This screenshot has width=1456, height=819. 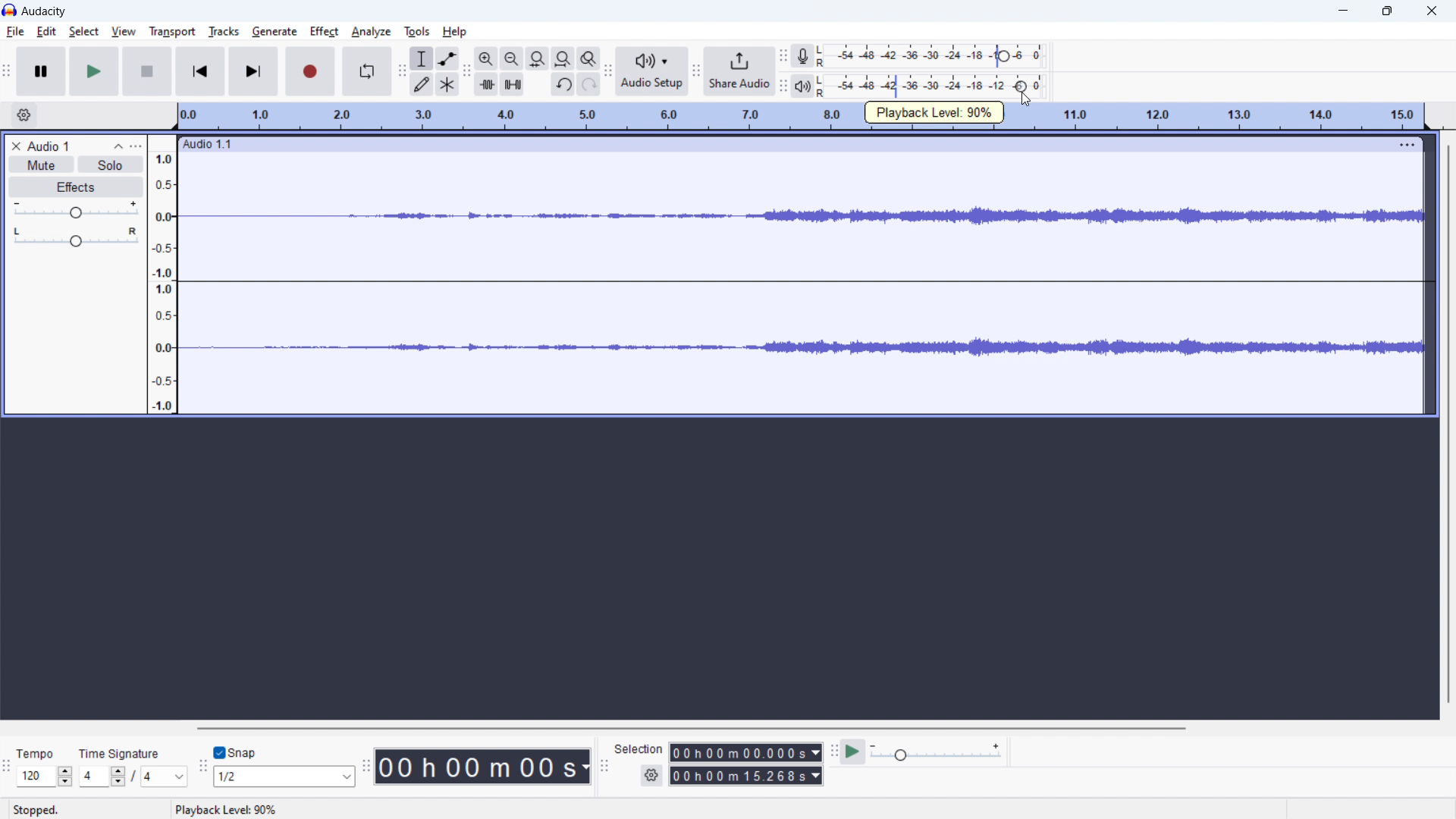 What do you see at coordinates (1345, 11) in the screenshot?
I see `minimize` at bounding box center [1345, 11].